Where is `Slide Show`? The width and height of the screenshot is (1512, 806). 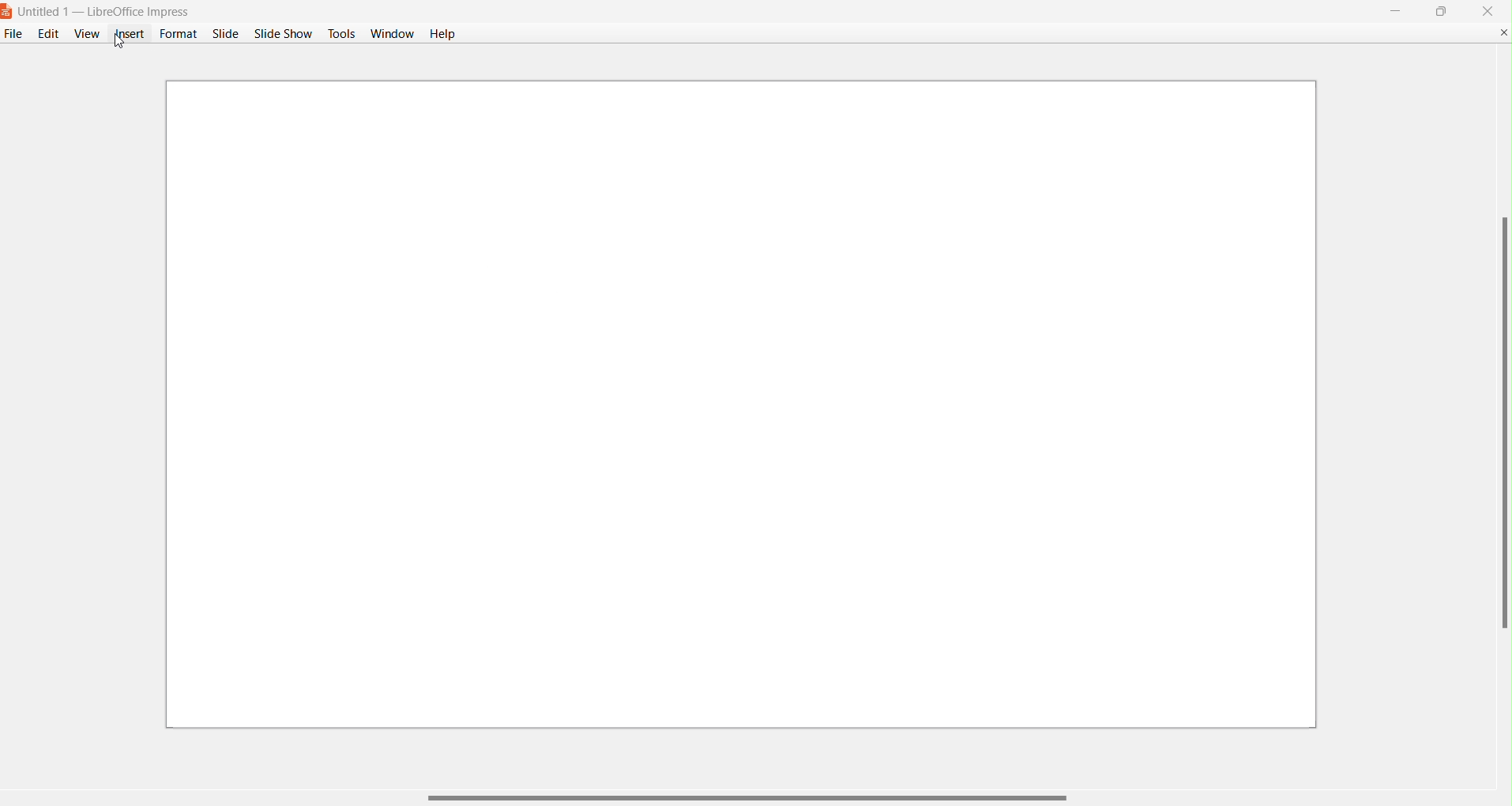 Slide Show is located at coordinates (284, 34).